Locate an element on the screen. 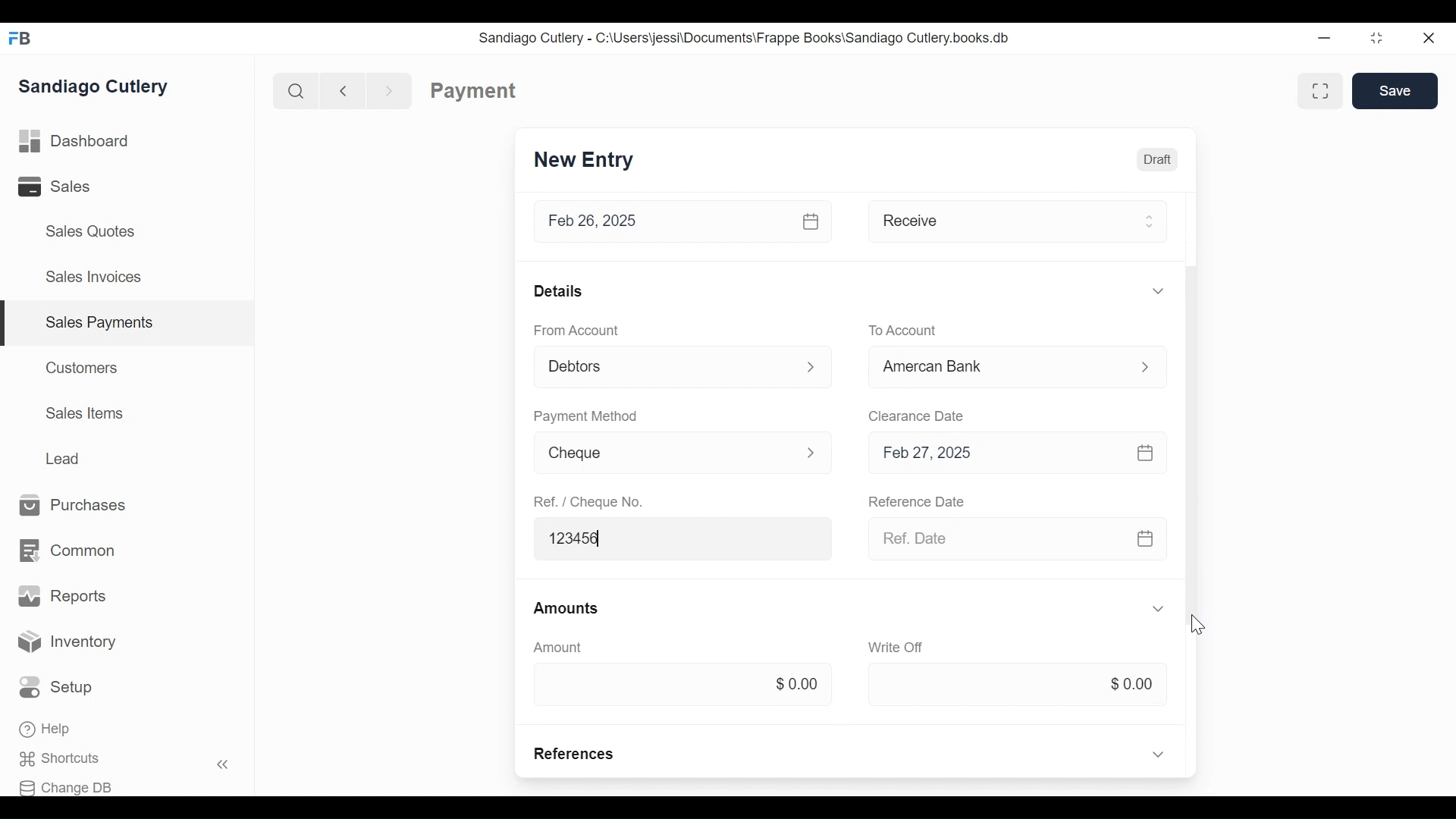  ‘Write Off is located at coordinates (898, 647).